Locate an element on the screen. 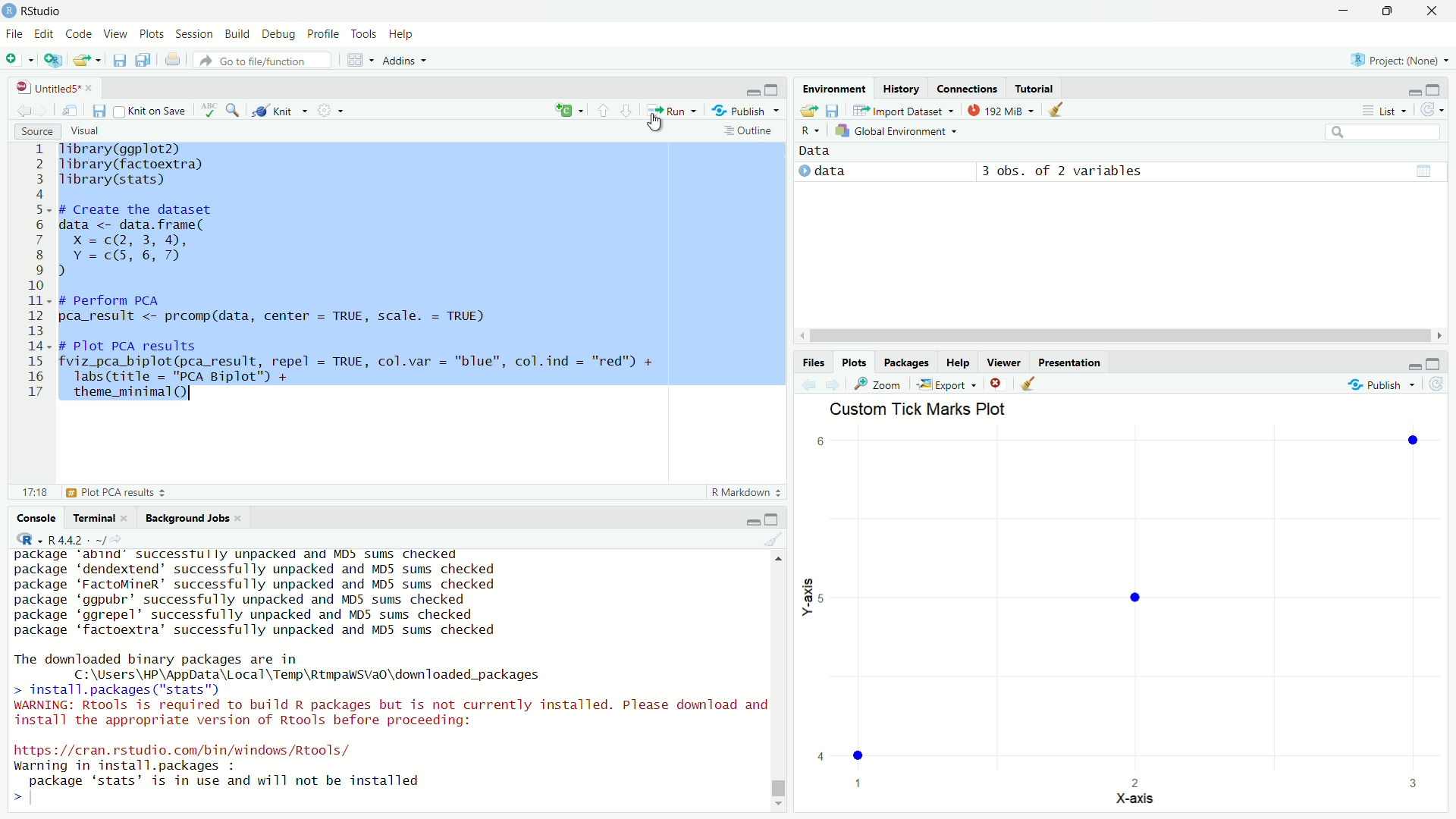  find and replace is located at coordinates (237, 110).